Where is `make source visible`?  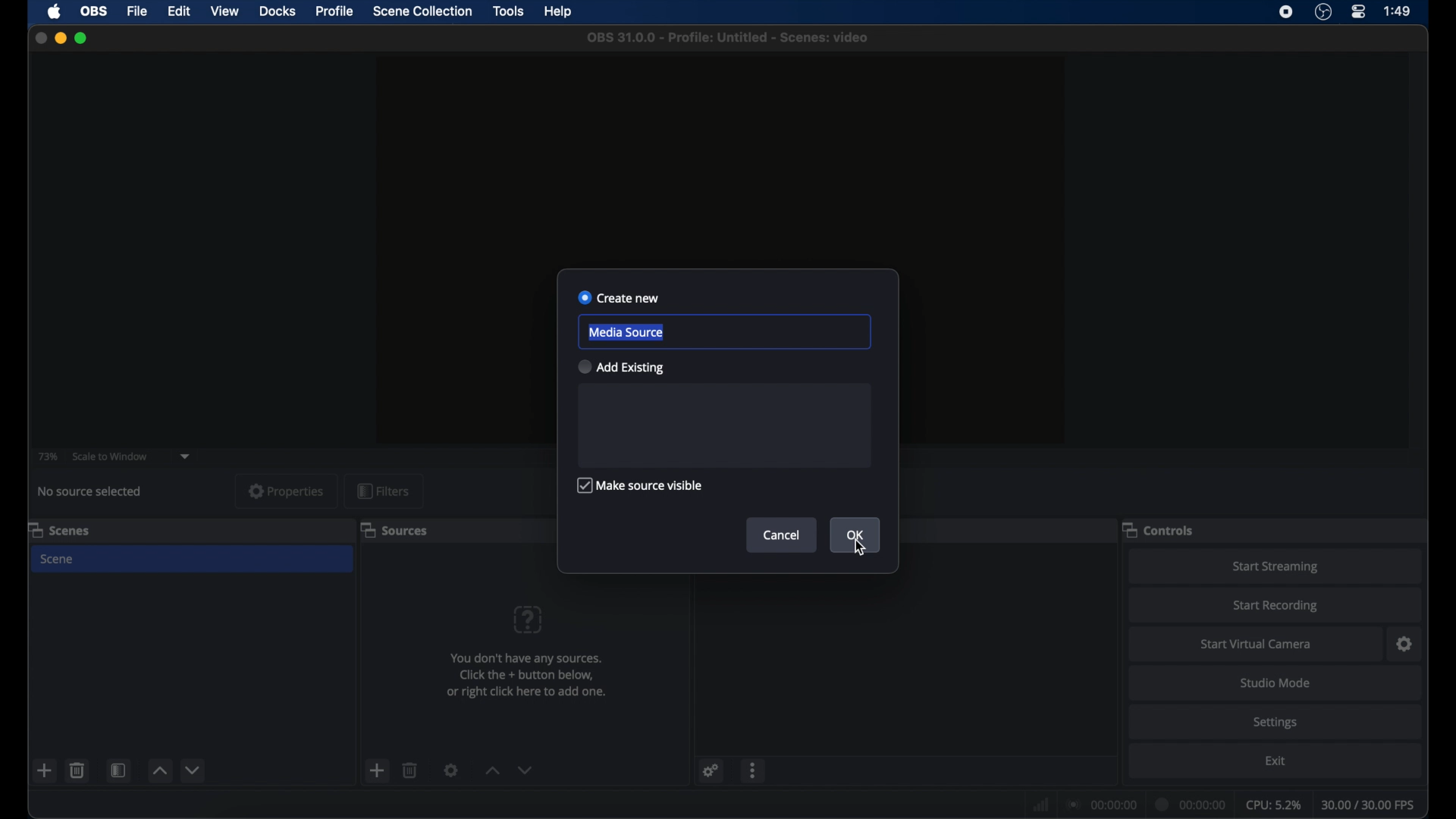
make source visible is located at coordinates (639, 485).